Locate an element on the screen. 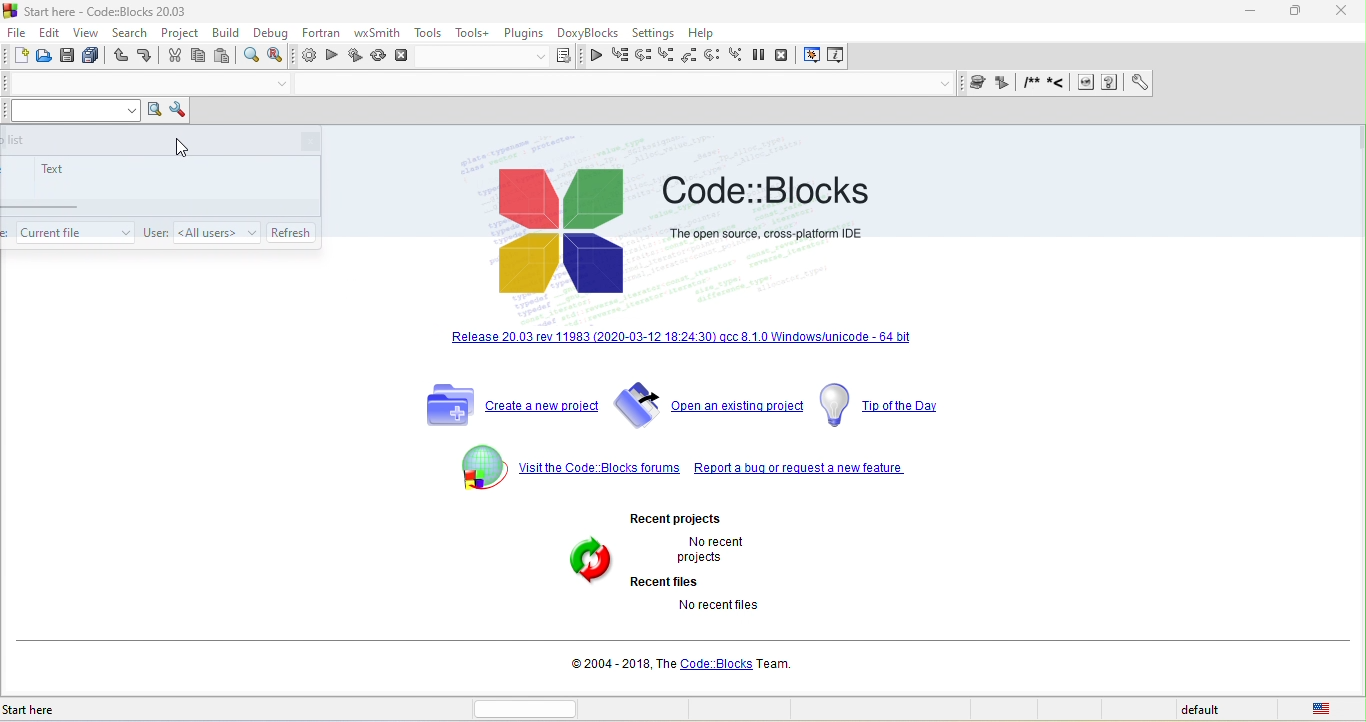  cursor is located at coordinates (294, 229).